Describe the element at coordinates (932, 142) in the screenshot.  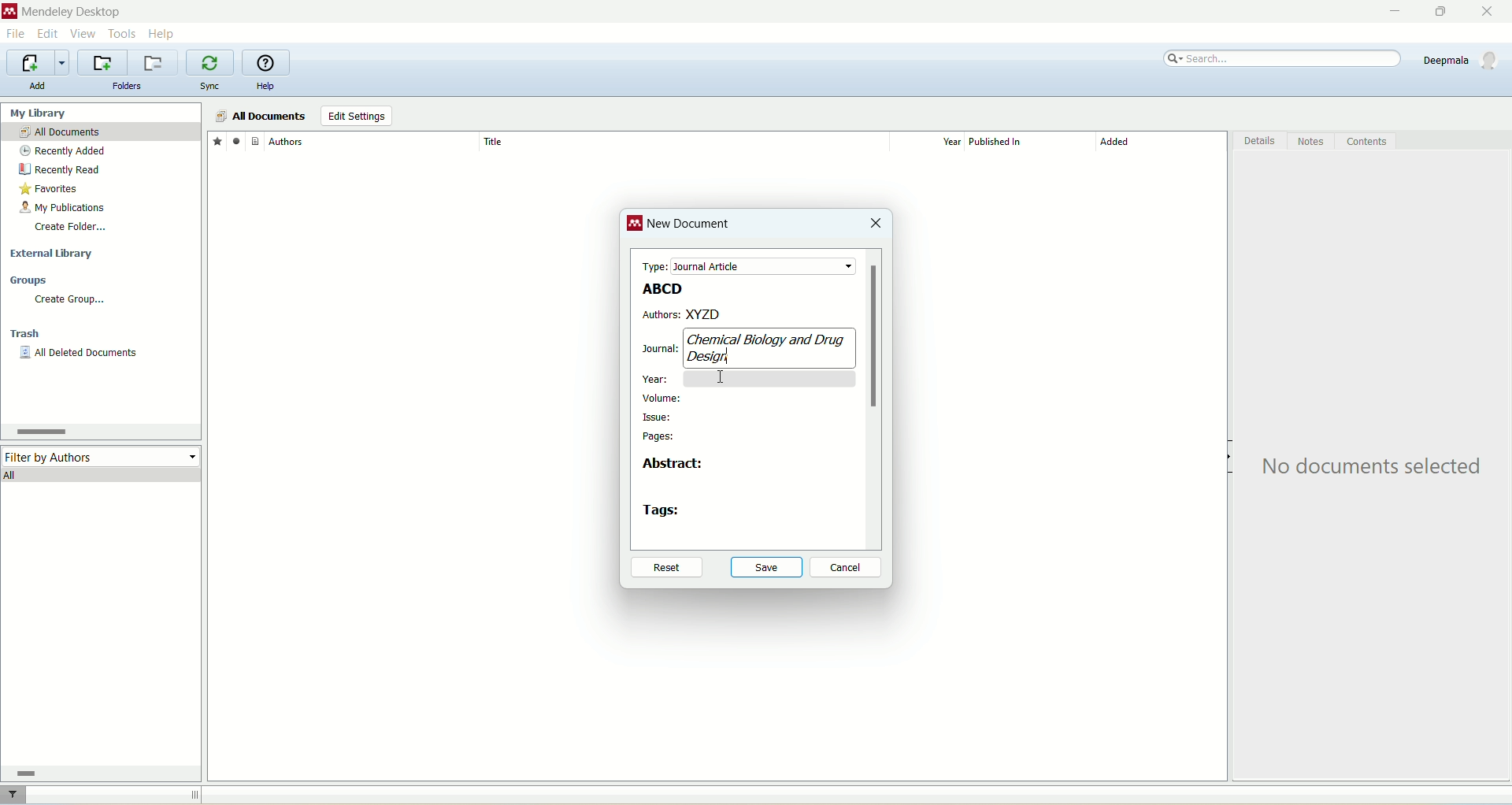
I see `year` at that location.